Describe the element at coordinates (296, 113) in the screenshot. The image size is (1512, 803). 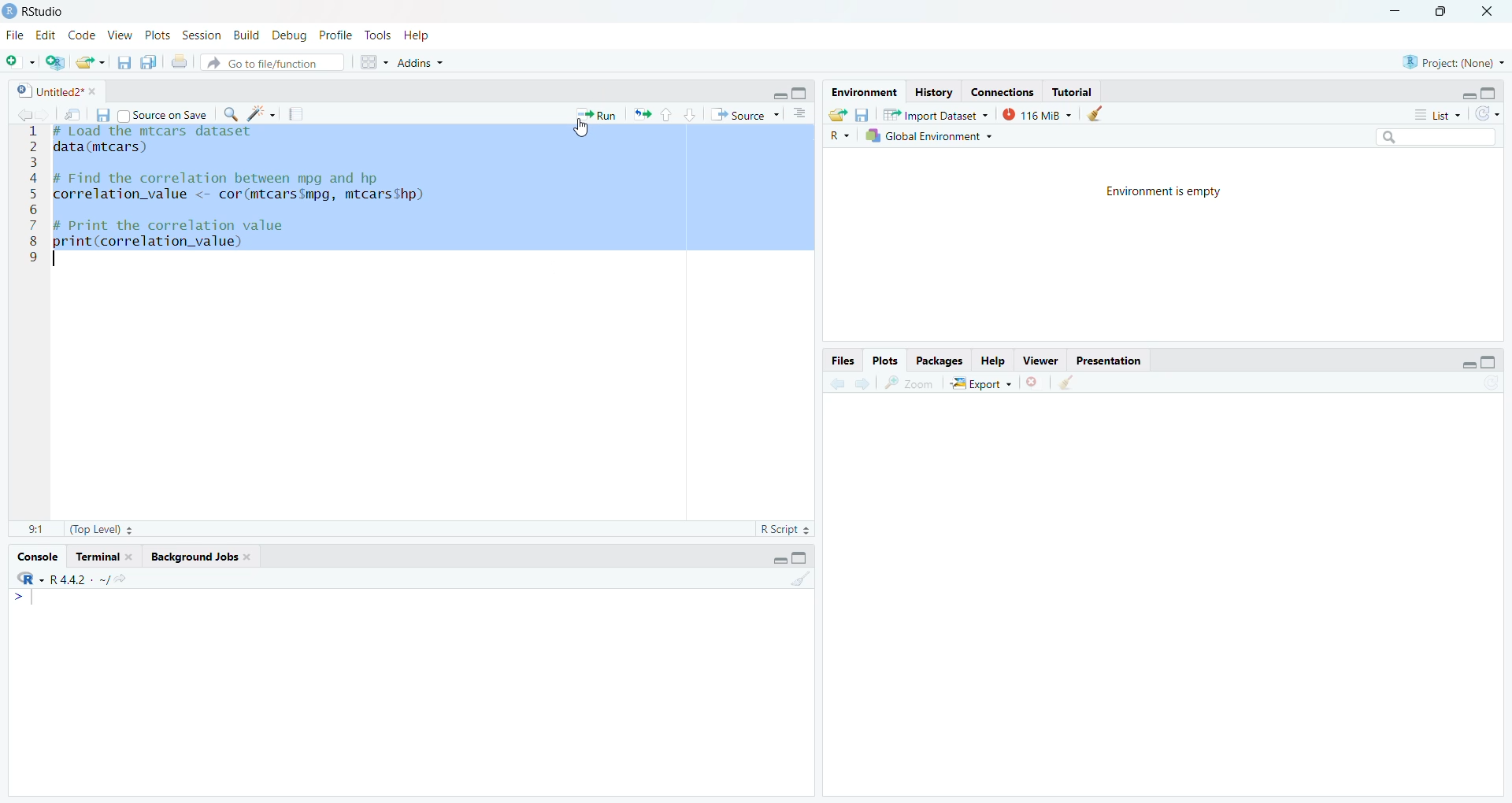
I see `Compile Report (Ctrl + Shift + K)` at that location.